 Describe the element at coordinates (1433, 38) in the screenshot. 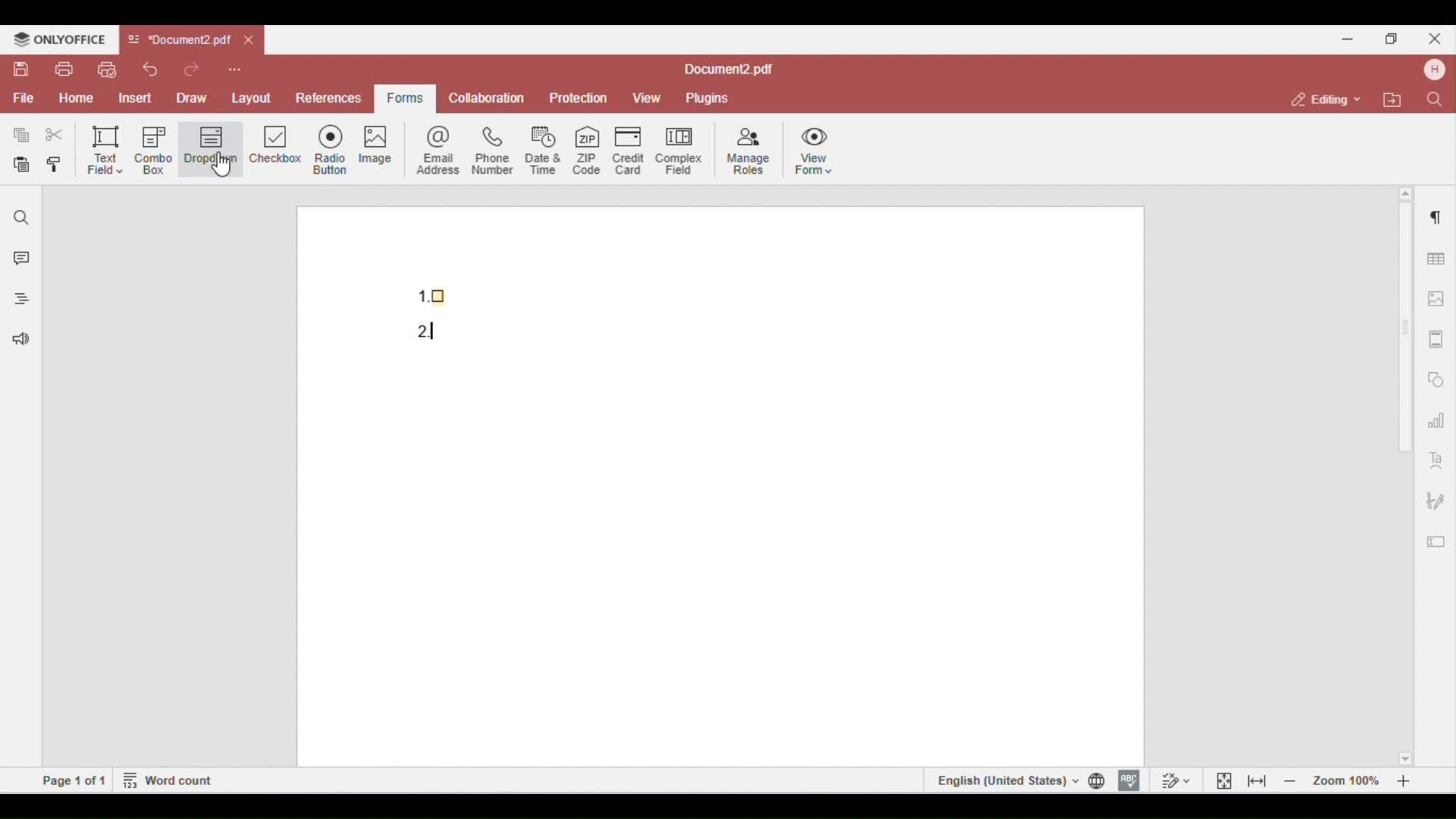

I see `close` at that location.